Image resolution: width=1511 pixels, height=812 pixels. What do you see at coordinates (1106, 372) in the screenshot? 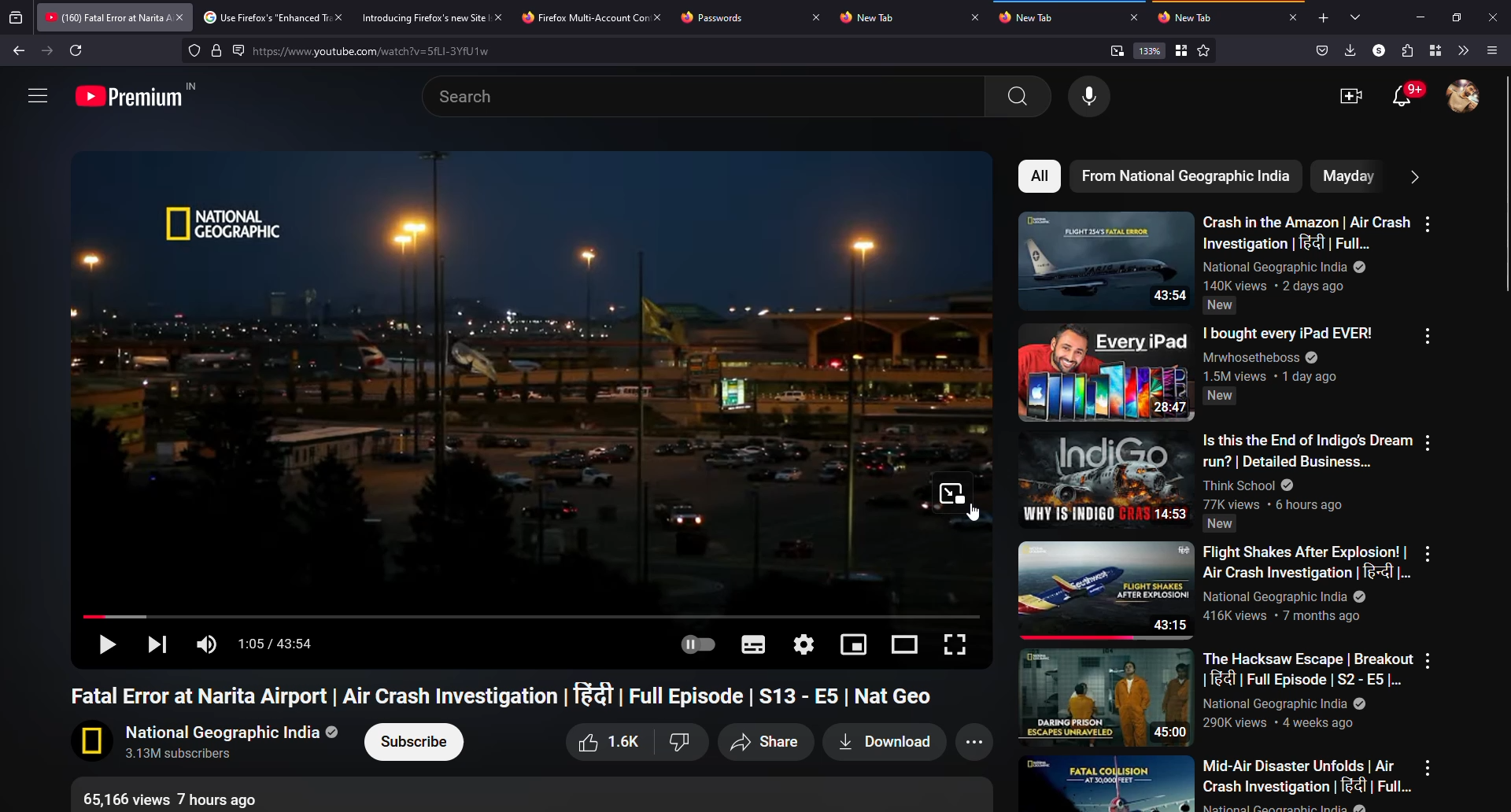
I see `Video thumbnail` at bounding box center [1106, 372].